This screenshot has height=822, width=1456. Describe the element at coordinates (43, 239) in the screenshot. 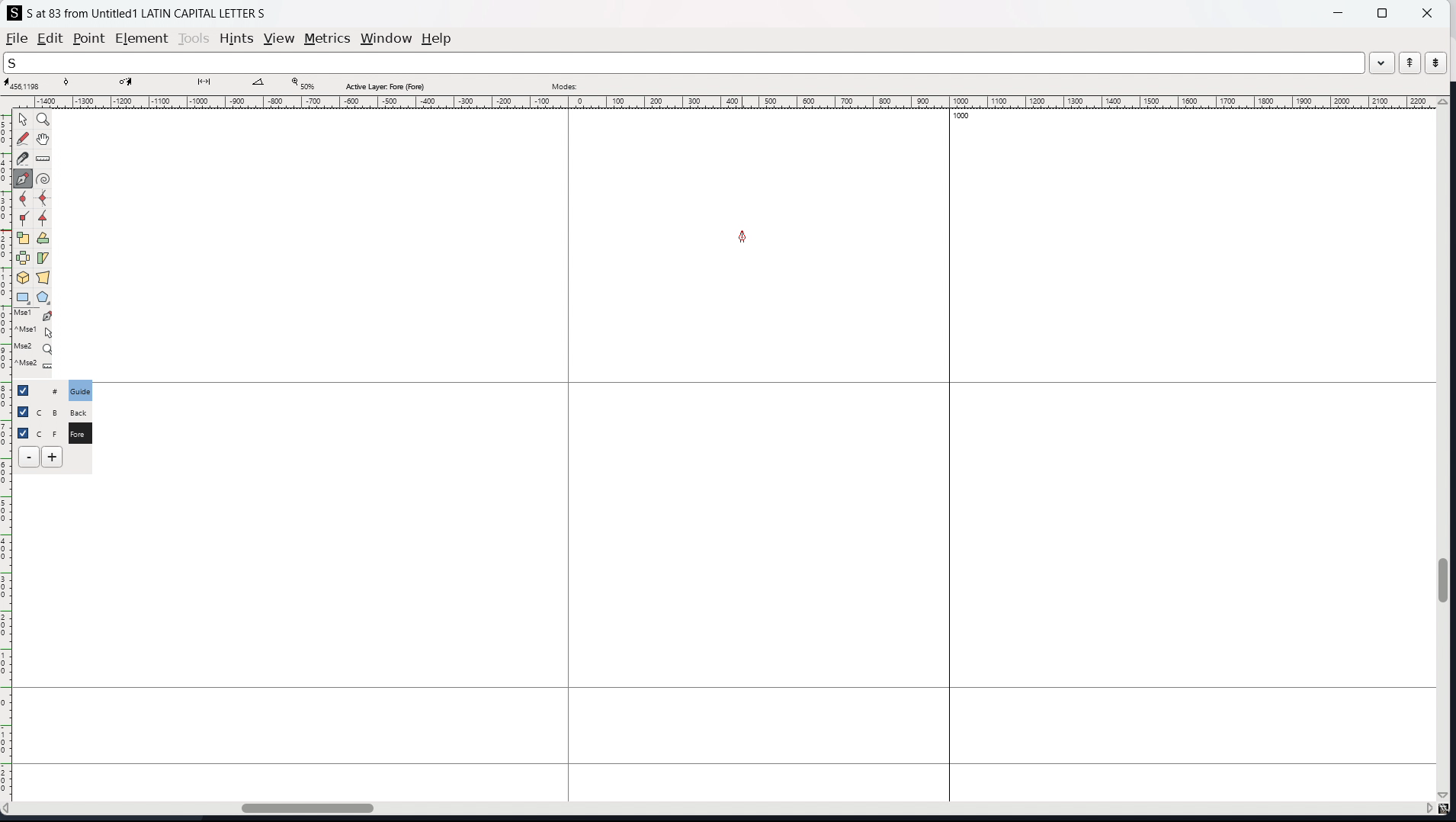

I see `rotate selection` at that location.